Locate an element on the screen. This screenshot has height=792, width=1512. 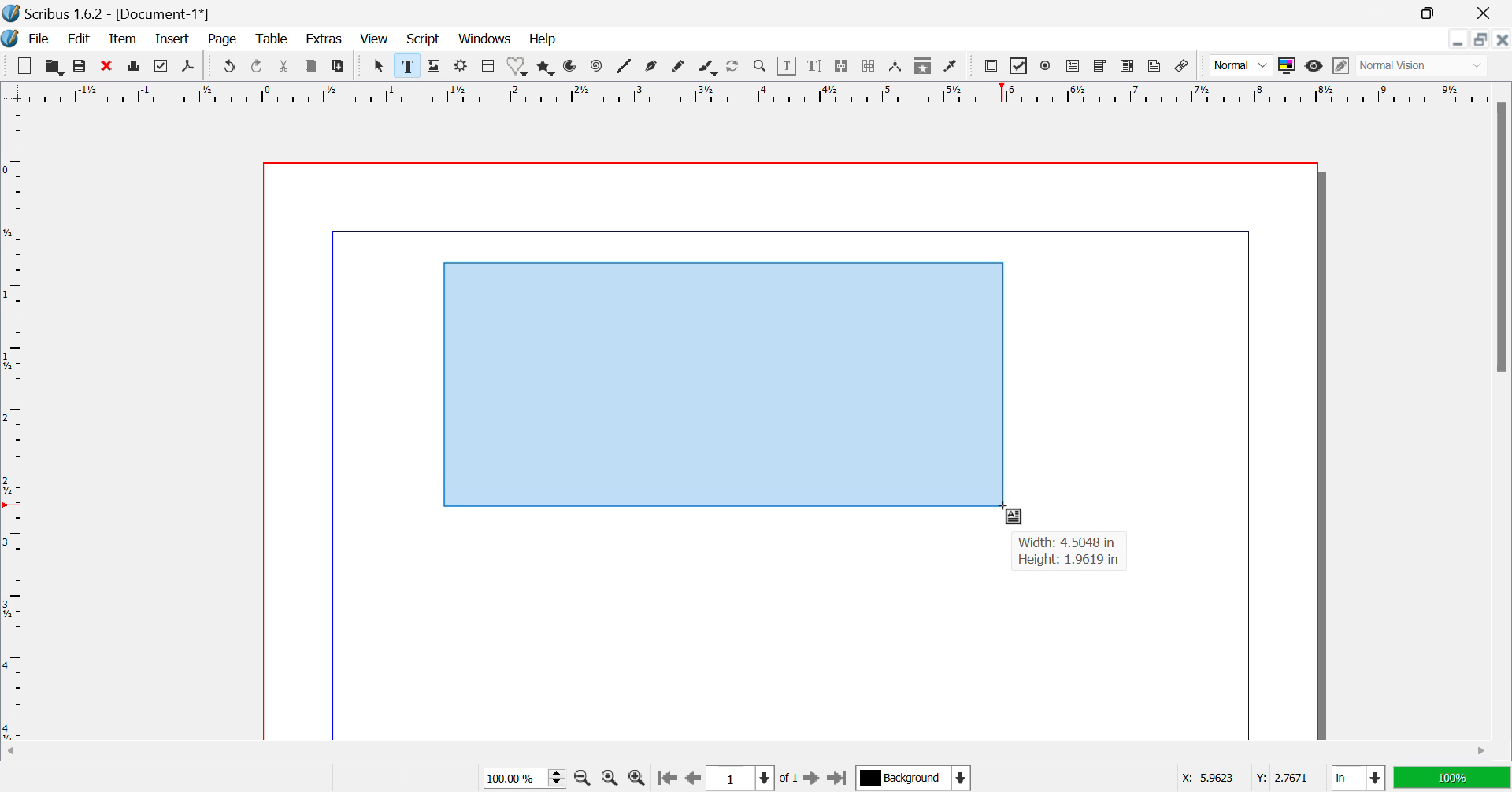
Cursor is located at coordinates (1011, 516).